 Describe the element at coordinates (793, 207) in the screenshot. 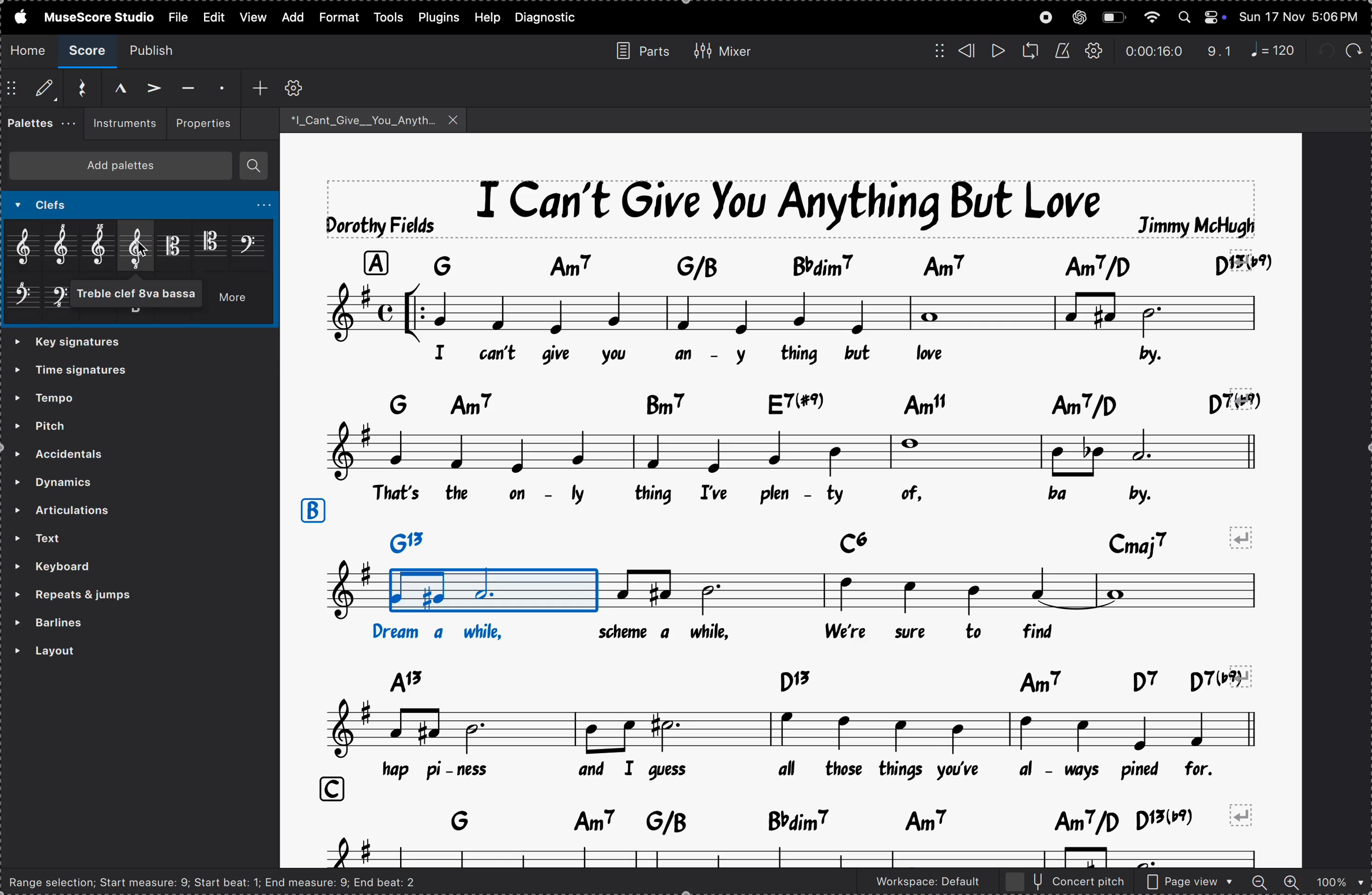

I see `title` at that location.